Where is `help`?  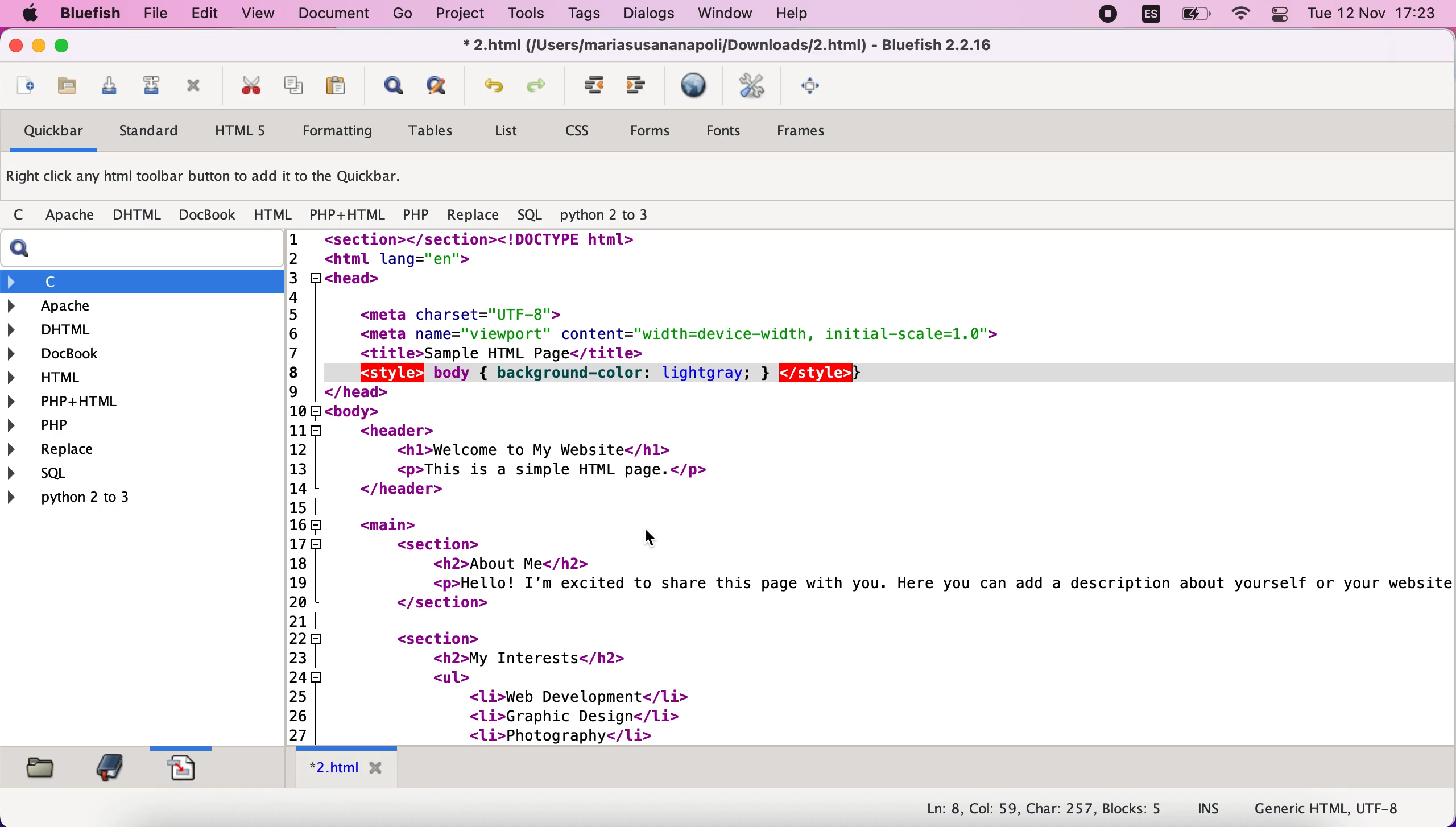 help is located at coordinates (806, 15).